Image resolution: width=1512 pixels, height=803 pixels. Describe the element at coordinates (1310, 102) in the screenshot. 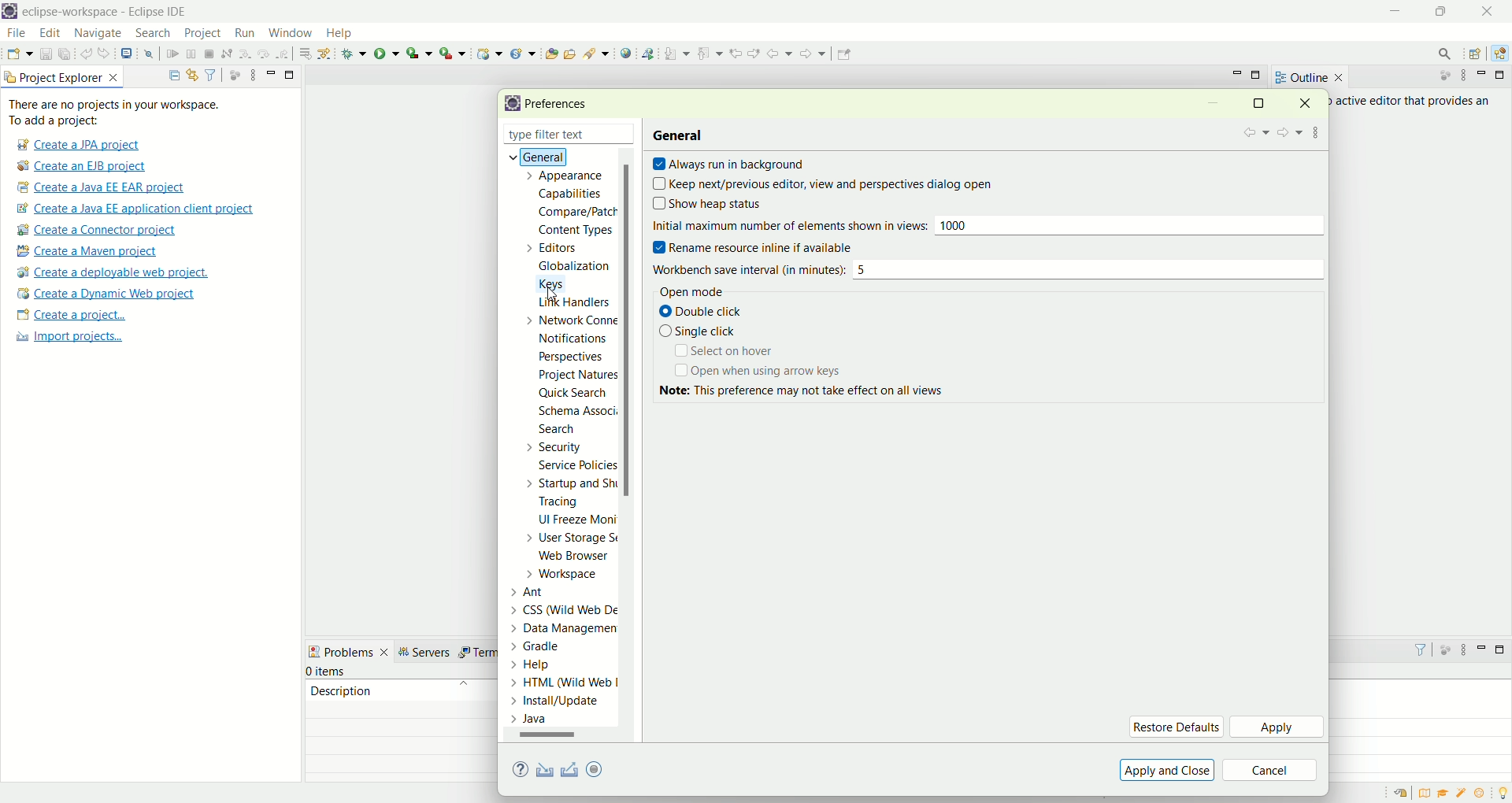

I see `close` at that location.